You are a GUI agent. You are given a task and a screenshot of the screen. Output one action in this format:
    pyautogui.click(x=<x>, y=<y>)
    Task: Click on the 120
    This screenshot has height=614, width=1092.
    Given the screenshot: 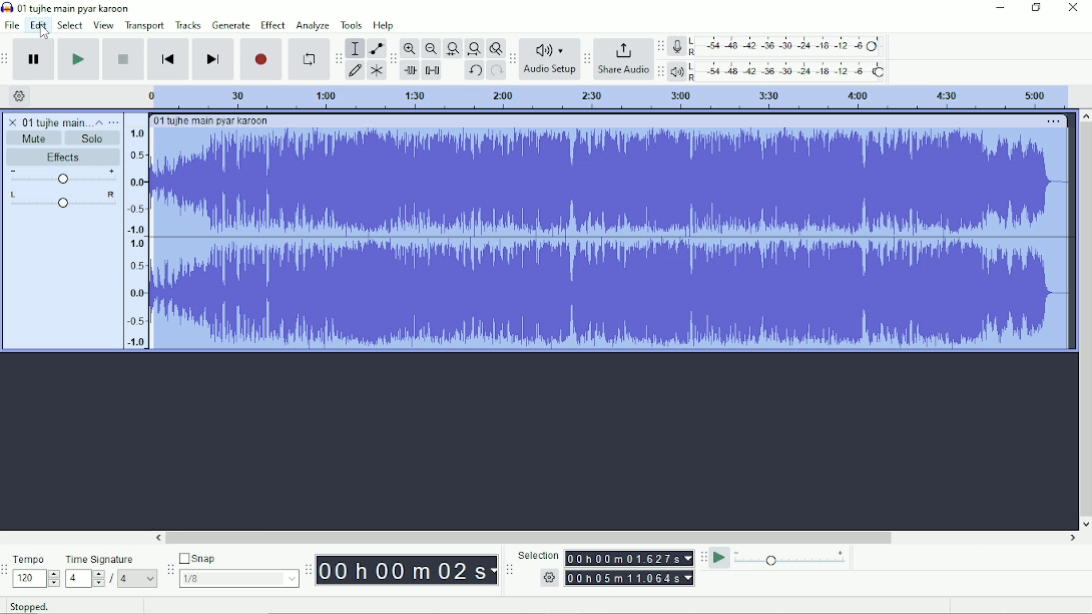 What is the action you would take?
    pyautogui.click(x=36, y=579)
    